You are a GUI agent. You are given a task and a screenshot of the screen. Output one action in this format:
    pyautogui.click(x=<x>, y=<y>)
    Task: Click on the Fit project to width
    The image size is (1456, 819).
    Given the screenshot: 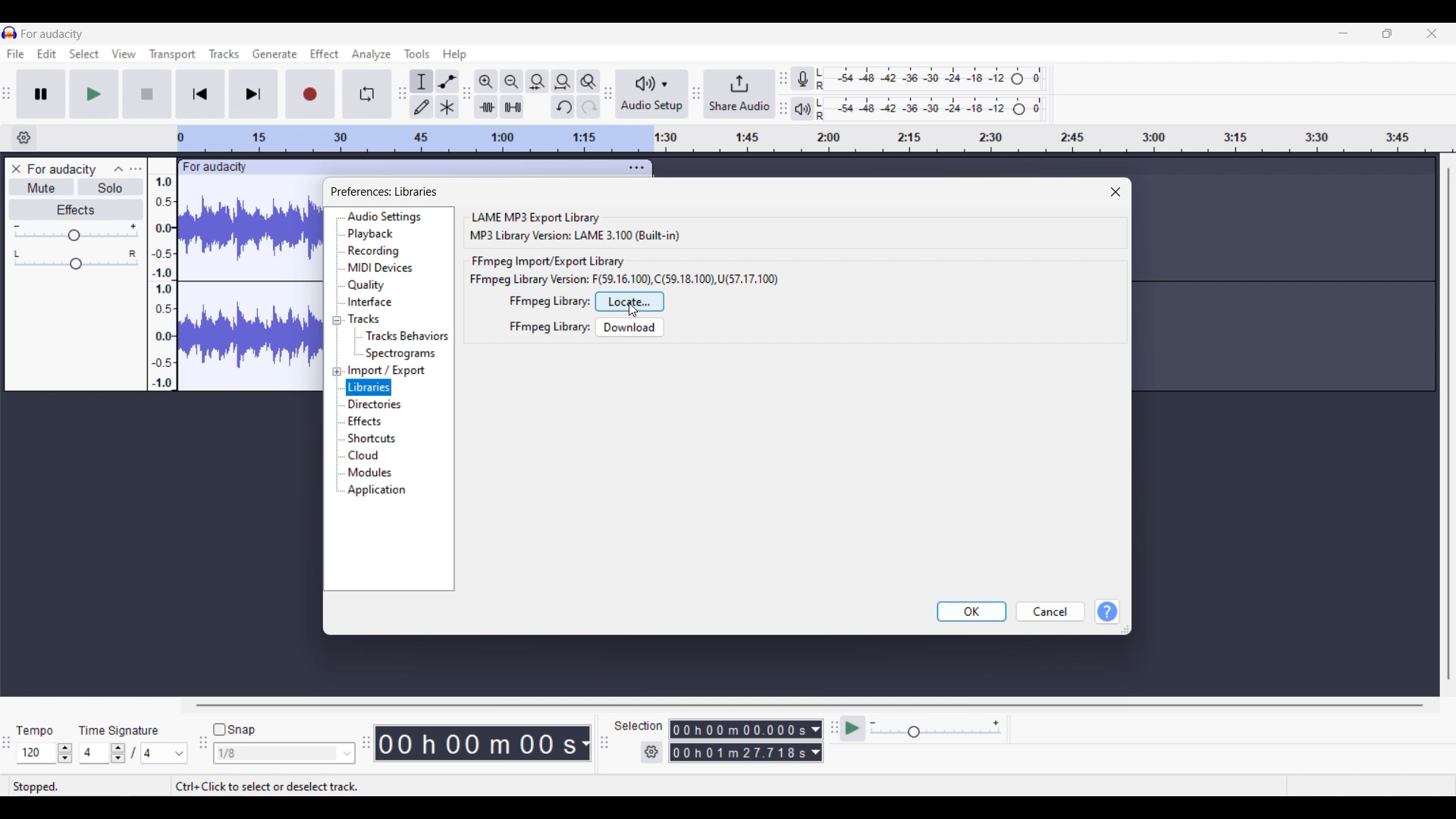 What is the action you would take?
    pyautogui.click(x=563, y=82)
    